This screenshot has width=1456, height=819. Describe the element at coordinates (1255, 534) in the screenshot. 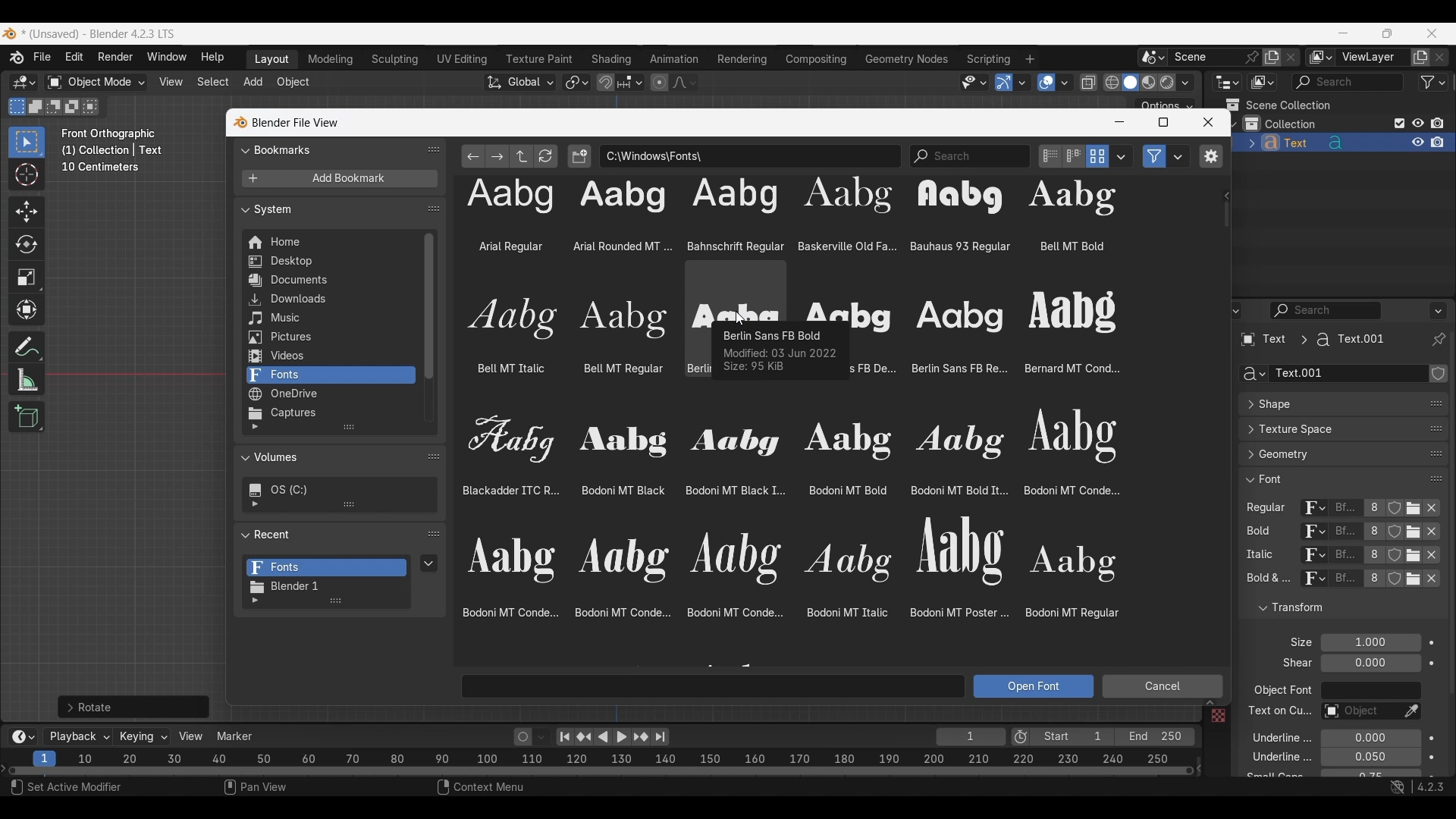

I see `bold` at that location.